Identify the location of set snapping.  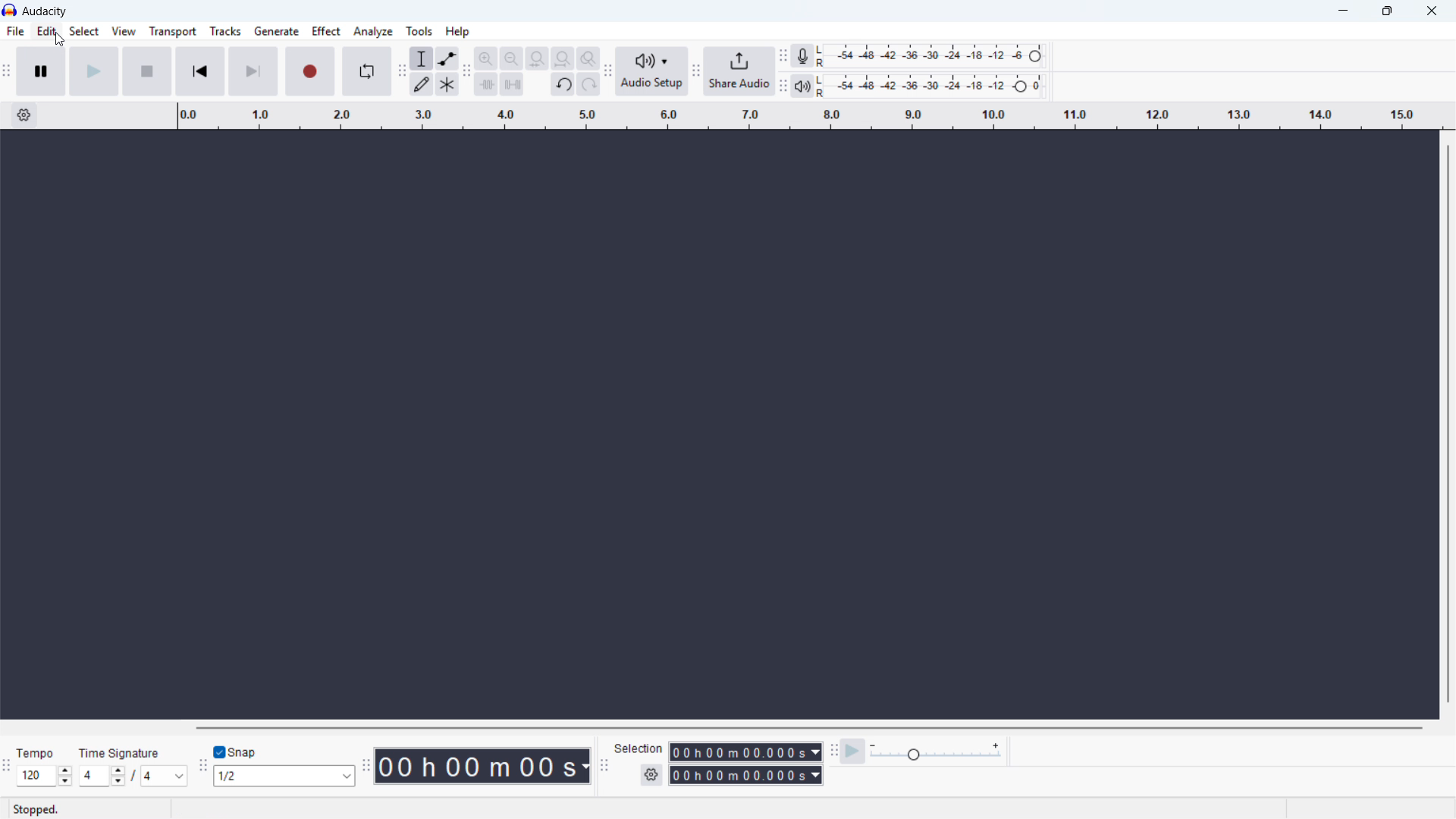
(283, 776).